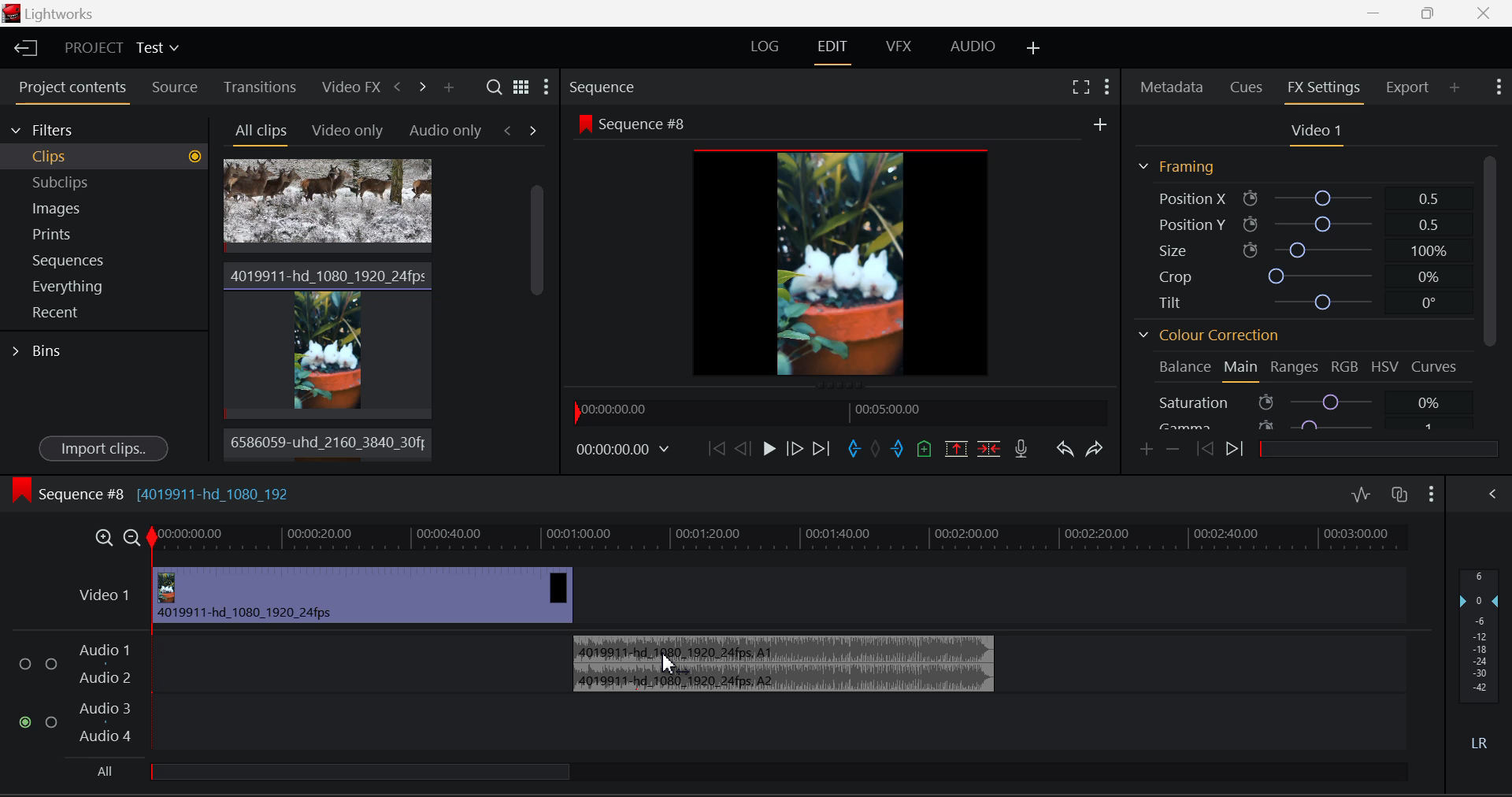 The height and width of the screenshot is (797, 1512). What do you see at coordinates (54, 13) in the screenshot?
I see `Lightworks` at bounding box center [54, 13].